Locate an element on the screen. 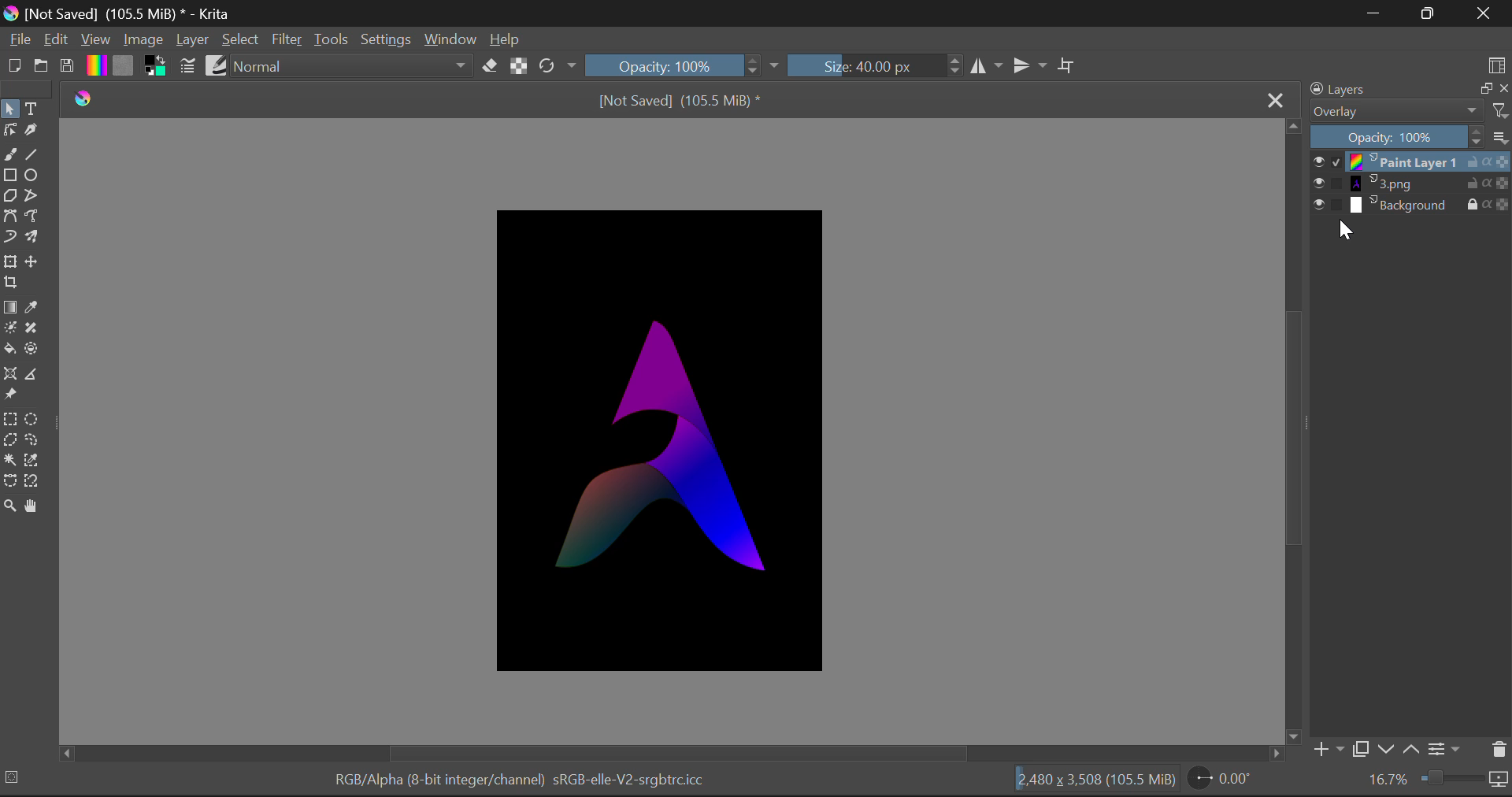 This screenshot has height=797, width=1512. Zoom slider is located at coordinates (1463, 778).